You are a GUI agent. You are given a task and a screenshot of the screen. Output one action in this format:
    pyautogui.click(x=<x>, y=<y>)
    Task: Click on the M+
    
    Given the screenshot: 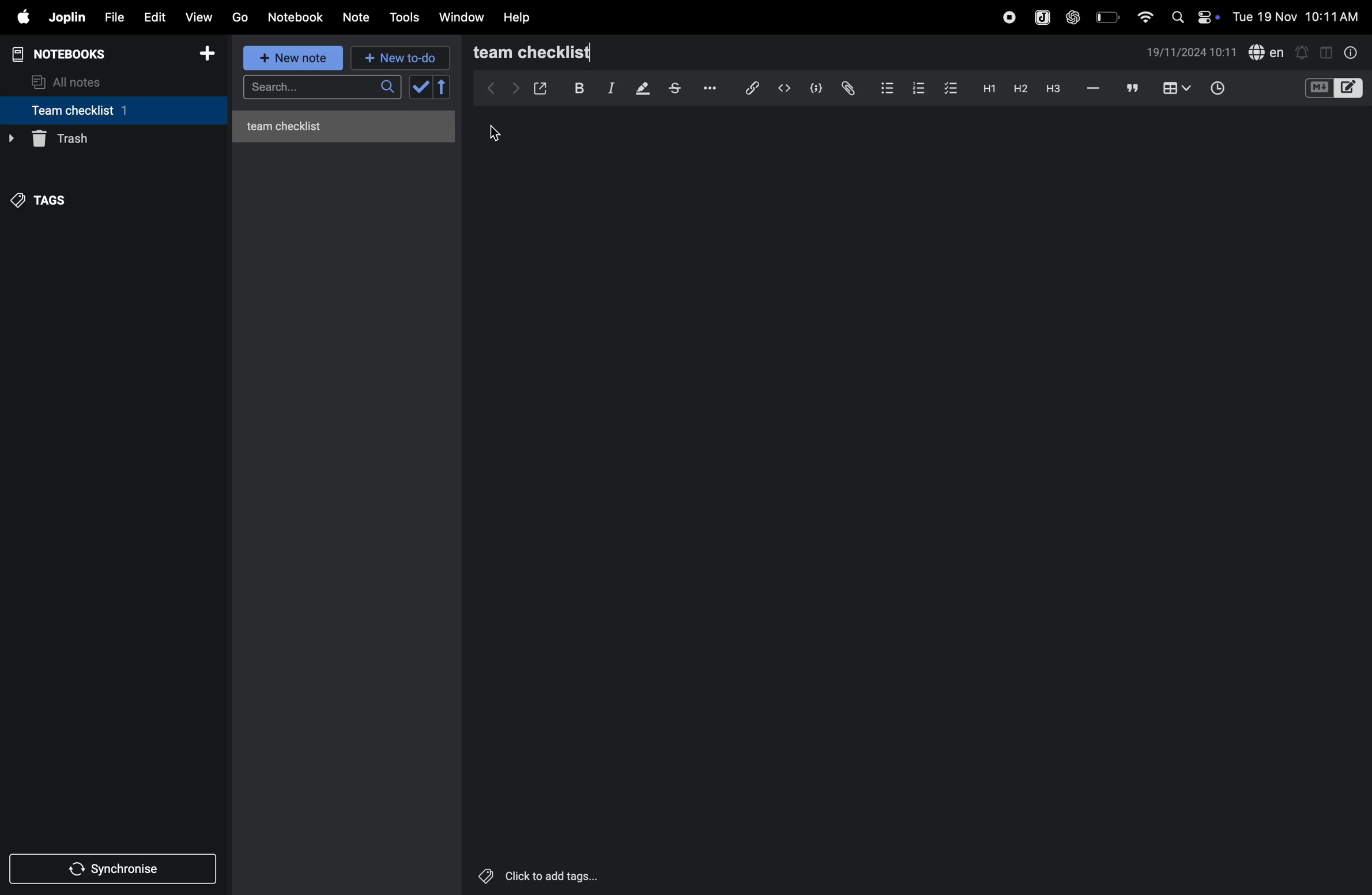 What is the action you would take?
    pyautogui.click(x=1318, y=88)
    